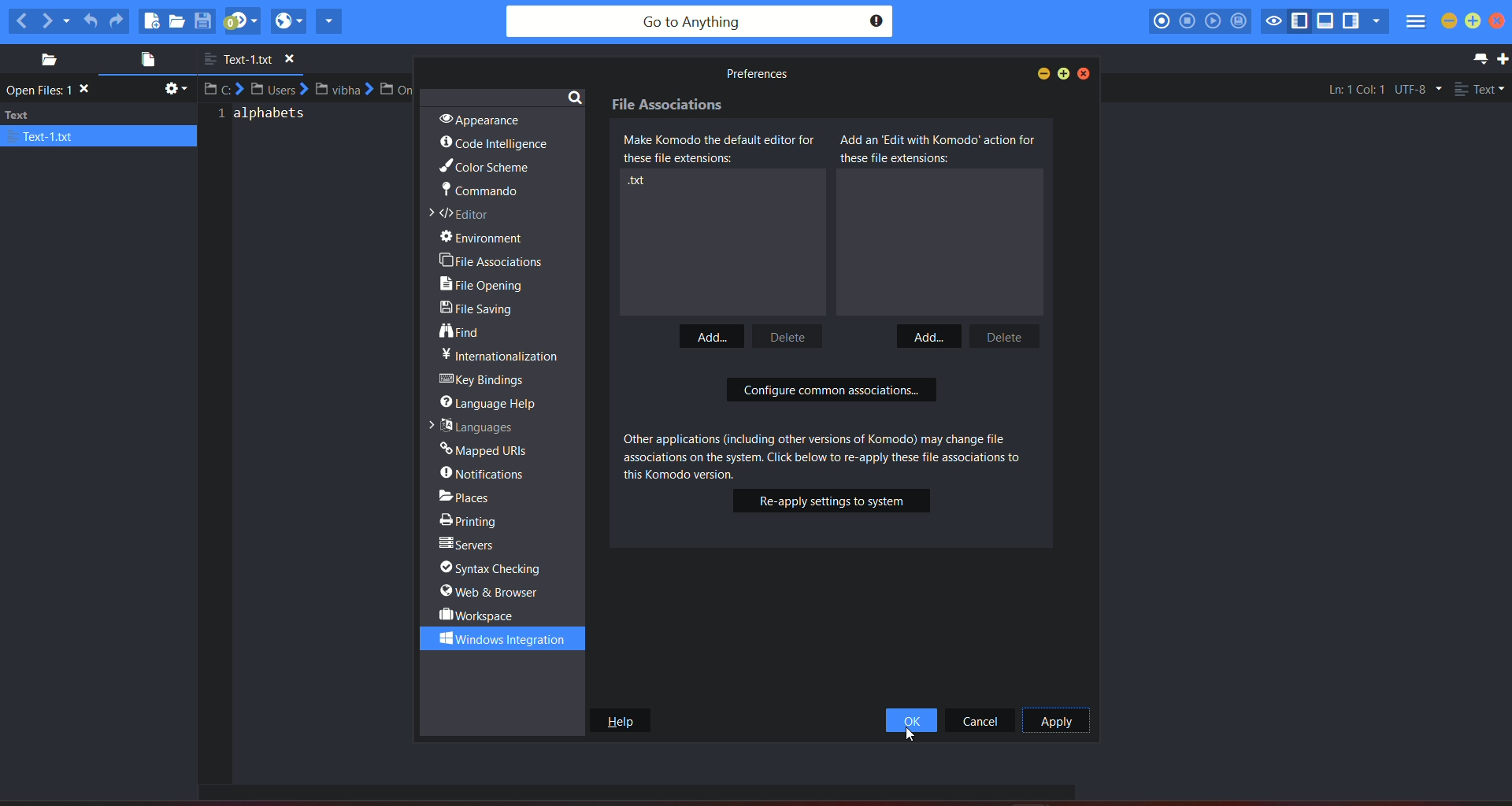  I want to click on play last macro, so click(1214, 21).